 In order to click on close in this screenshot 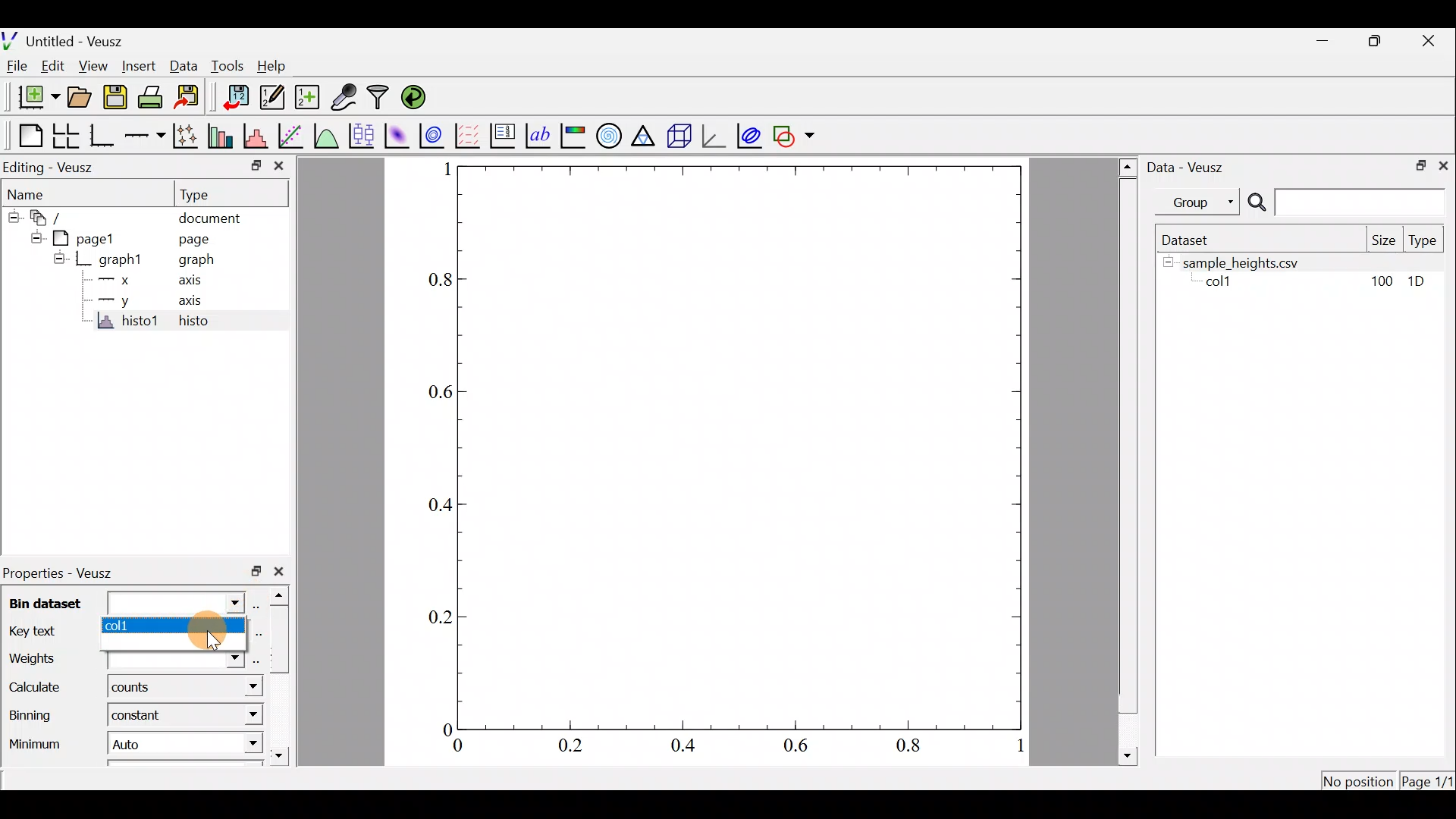, I will do `click(281, 166)`.